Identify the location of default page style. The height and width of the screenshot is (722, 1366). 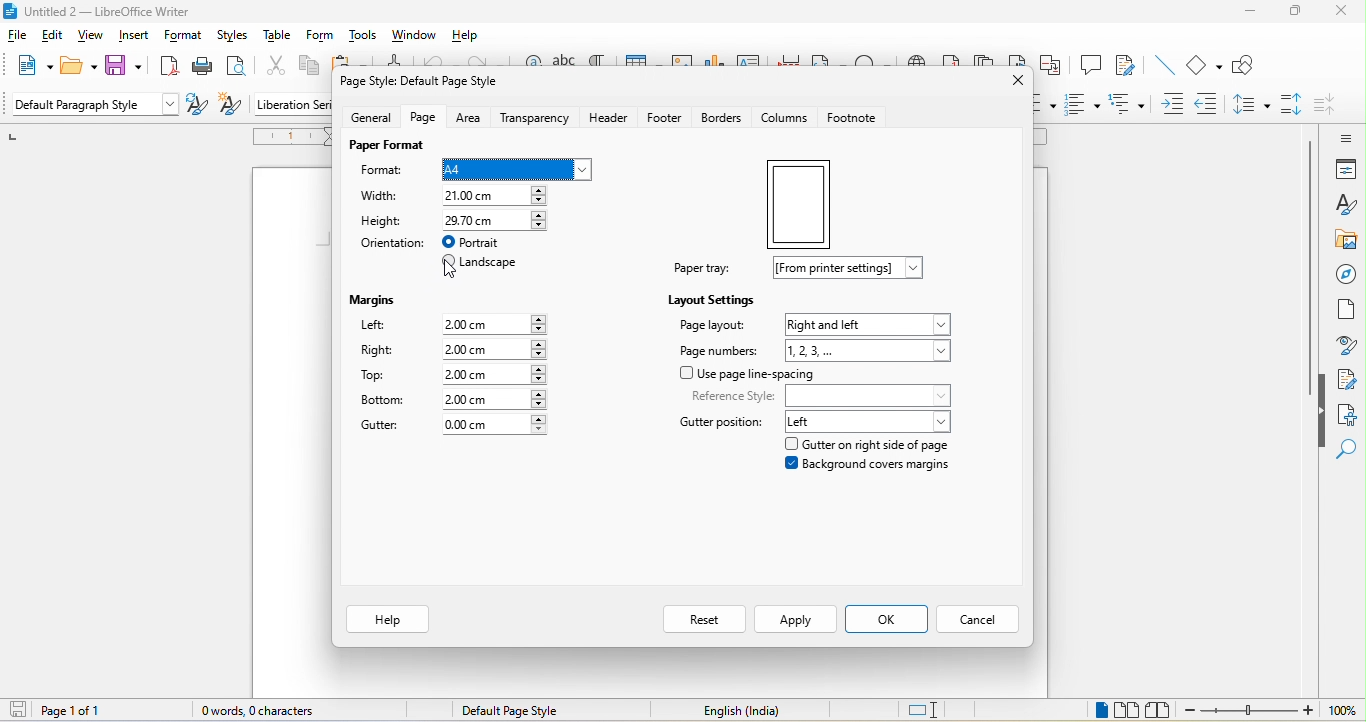
(522, 711).